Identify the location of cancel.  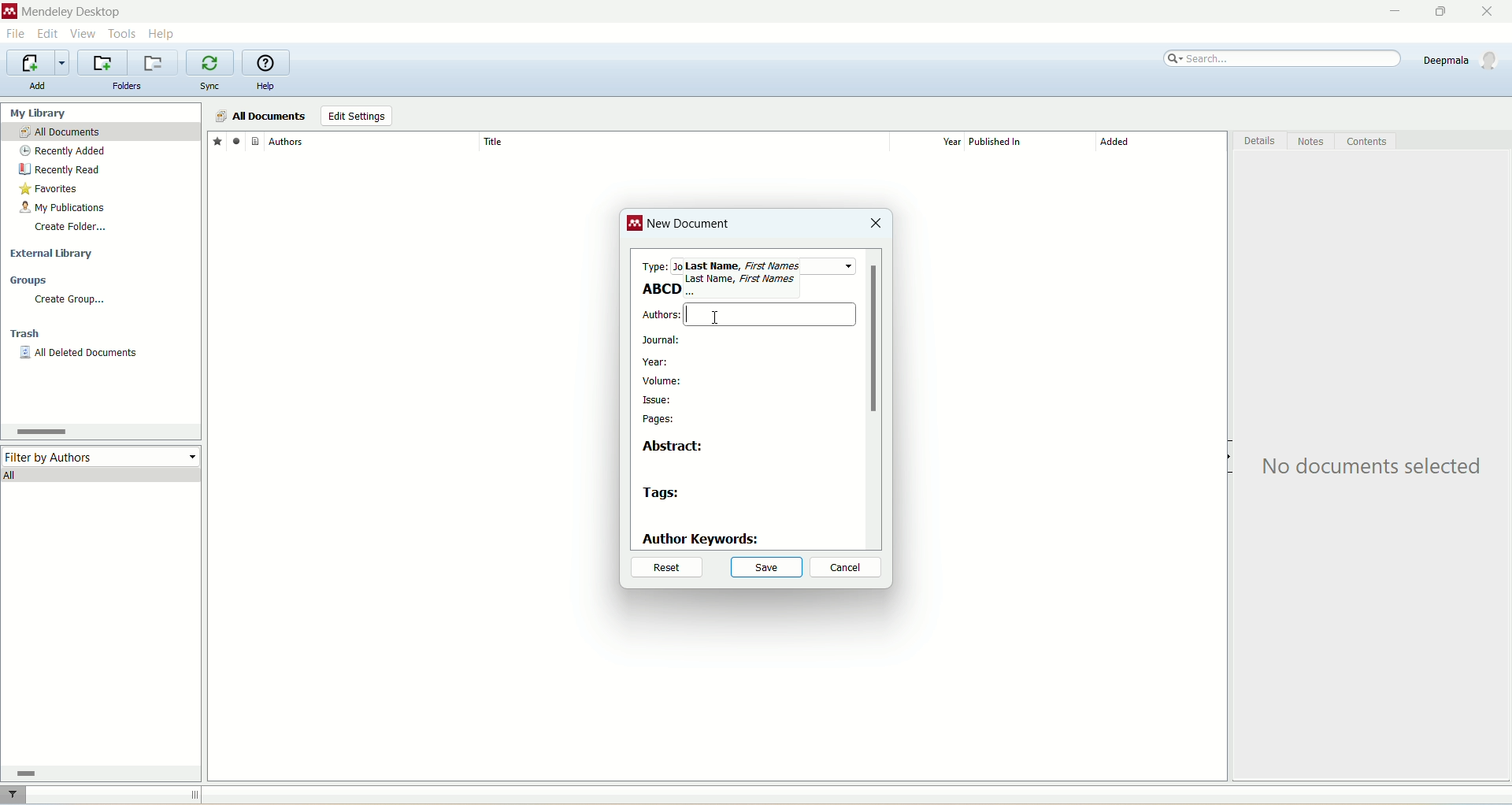
(847, 568).